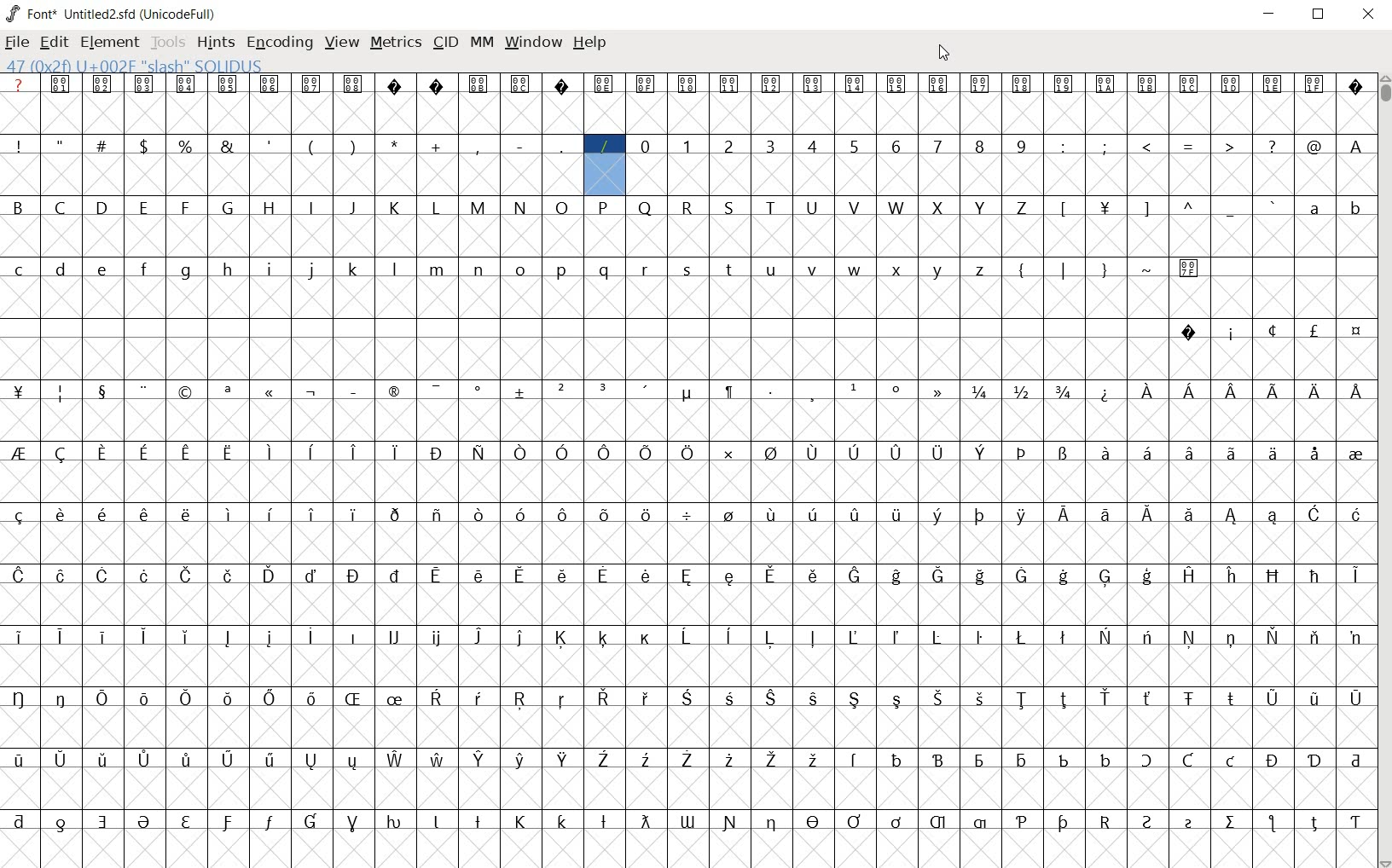 The height and width of the screenshot is (868, 1392). Describe the element at coordinates (19, 84) in the screenshot. I see `Glyph` at that location.